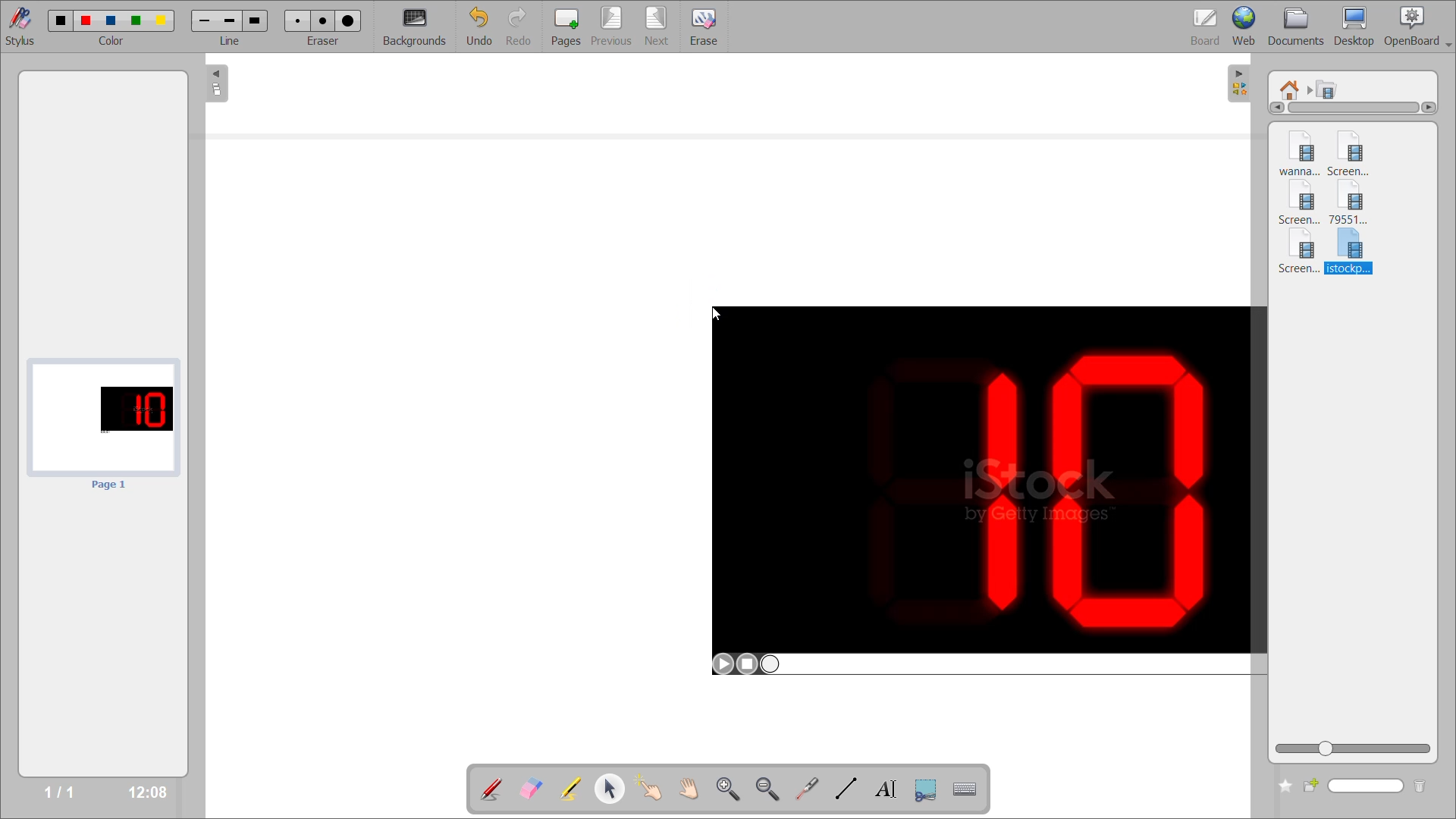 Image resolution: width=1456 pixels, height=819 pixels. I want to click on virtual laser pointer, so click(811, 788).